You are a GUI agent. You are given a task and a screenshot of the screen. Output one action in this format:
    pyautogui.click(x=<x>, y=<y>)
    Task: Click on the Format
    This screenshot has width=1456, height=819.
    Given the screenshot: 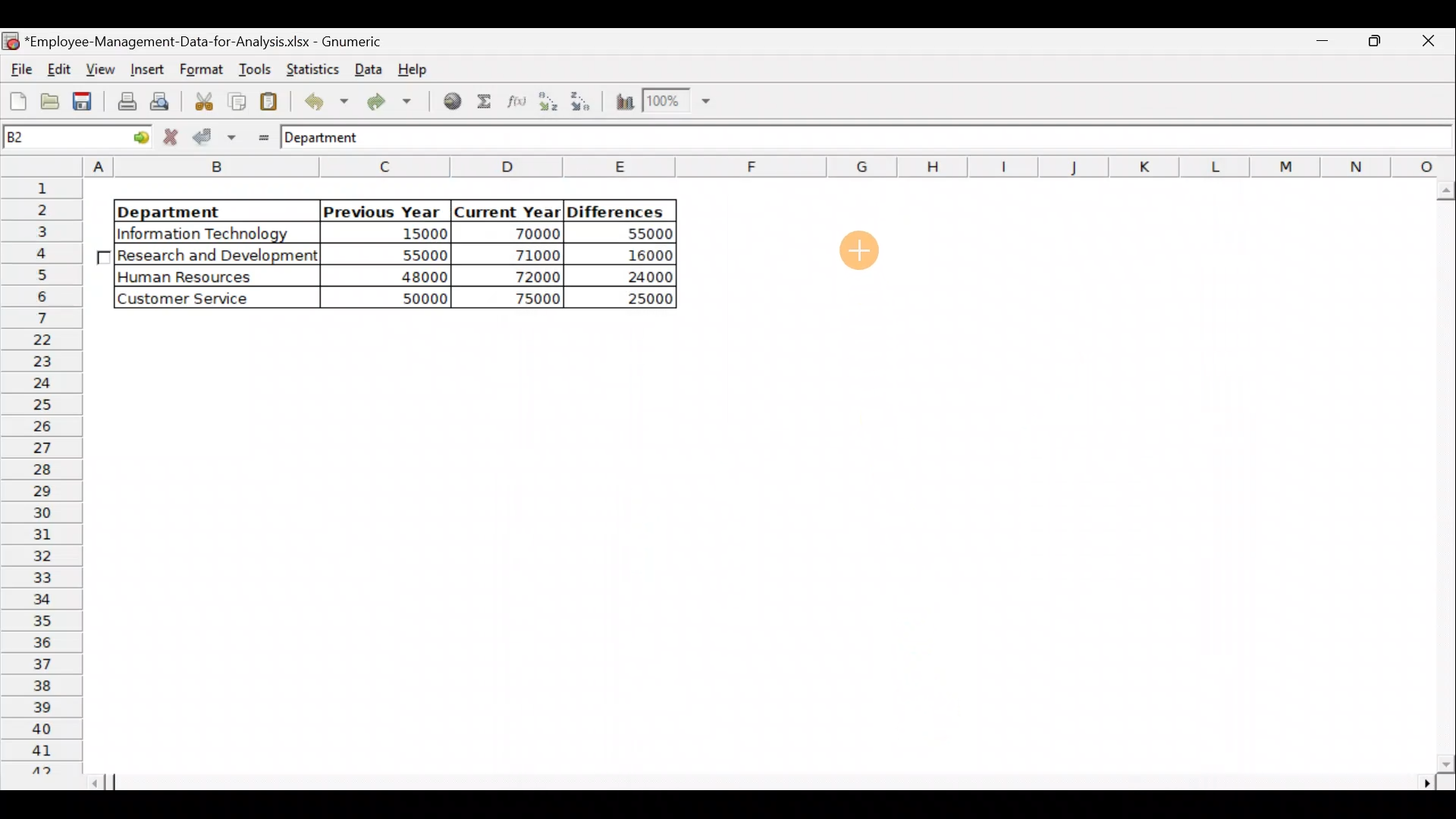 What is the action you would take?
    pyautogui.click(x=199, y=70)
    